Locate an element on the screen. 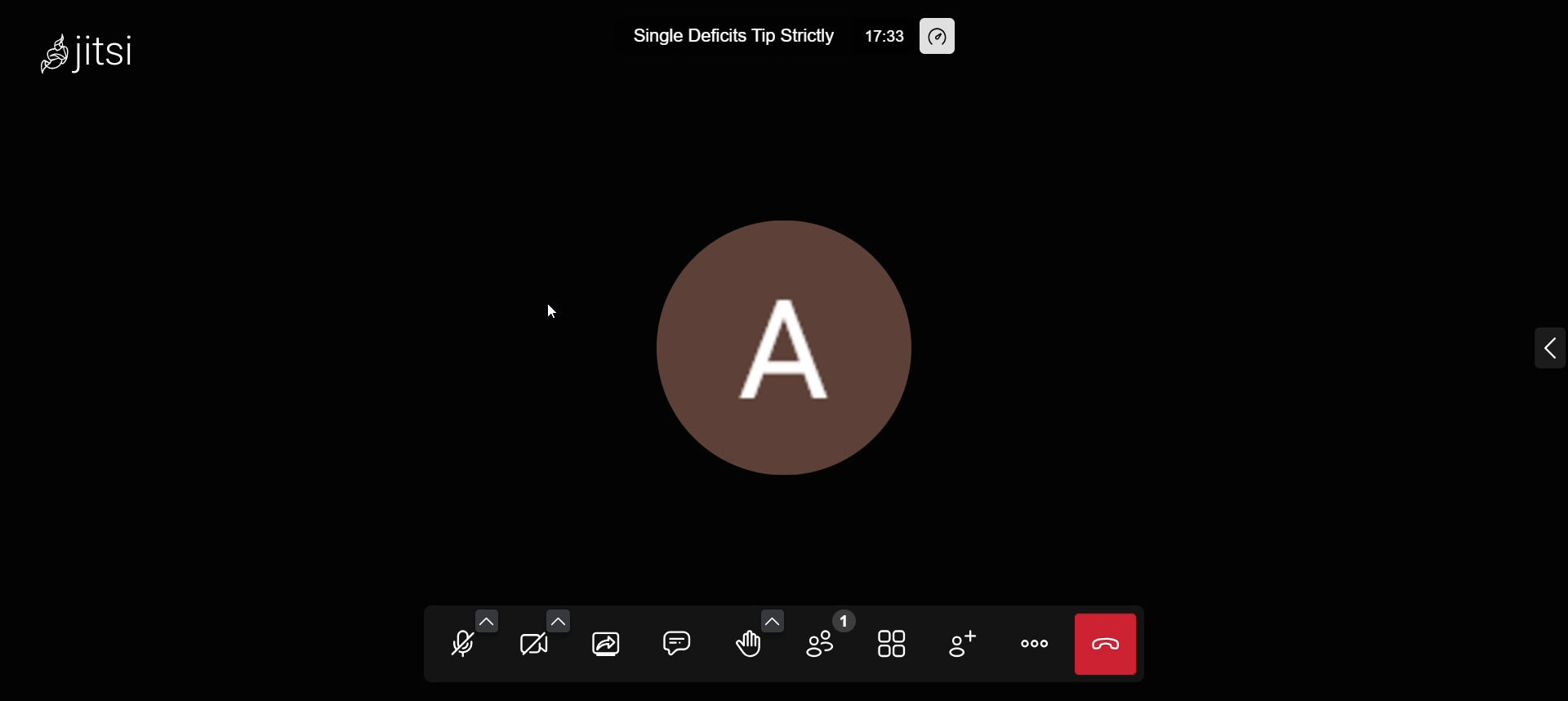 Image resolution: width=1568 pixels, height=701 pixels. more action is located at coordinates (1034, 644).